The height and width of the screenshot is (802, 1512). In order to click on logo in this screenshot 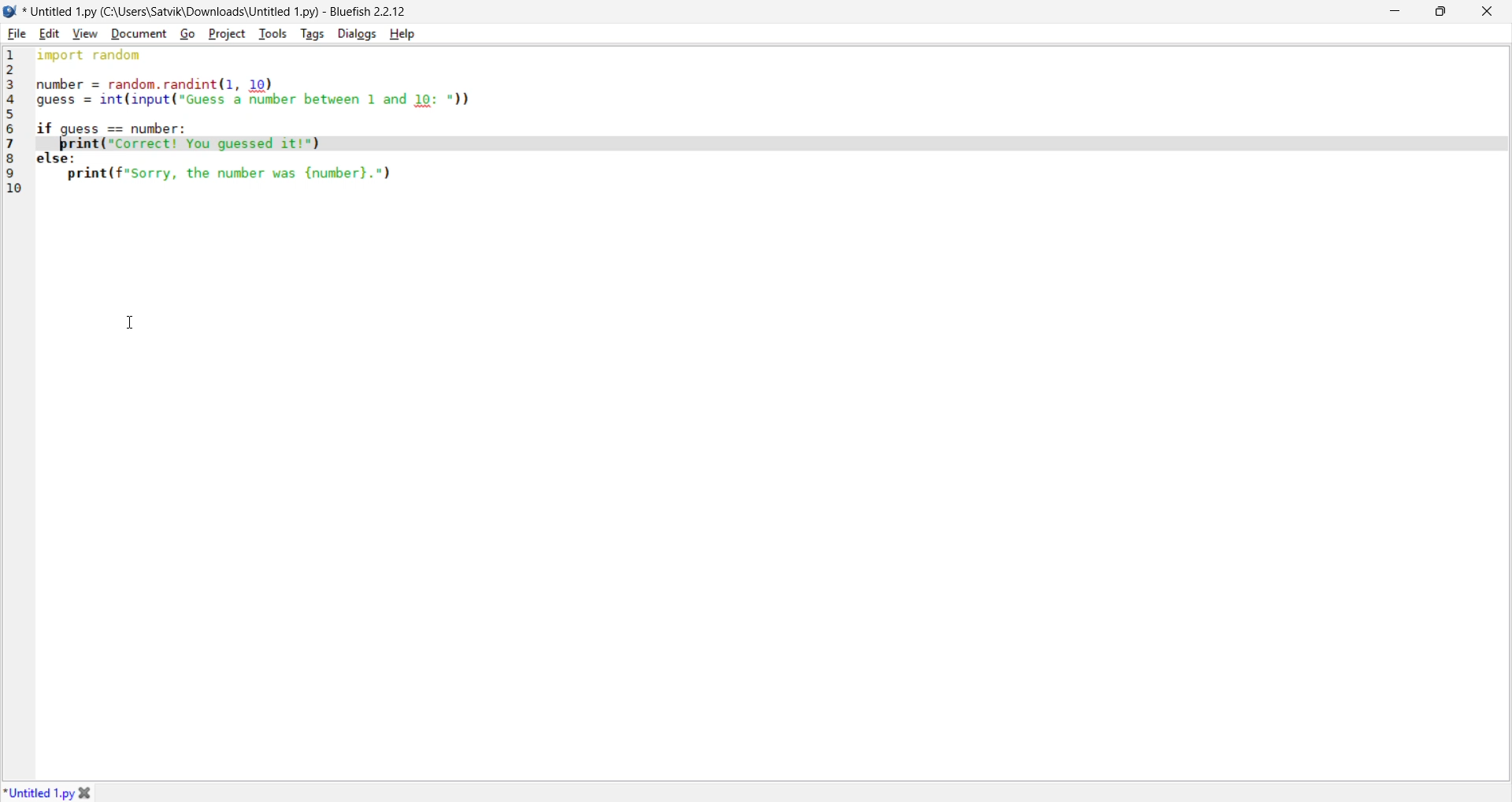, I will do `click(10, 12)`.